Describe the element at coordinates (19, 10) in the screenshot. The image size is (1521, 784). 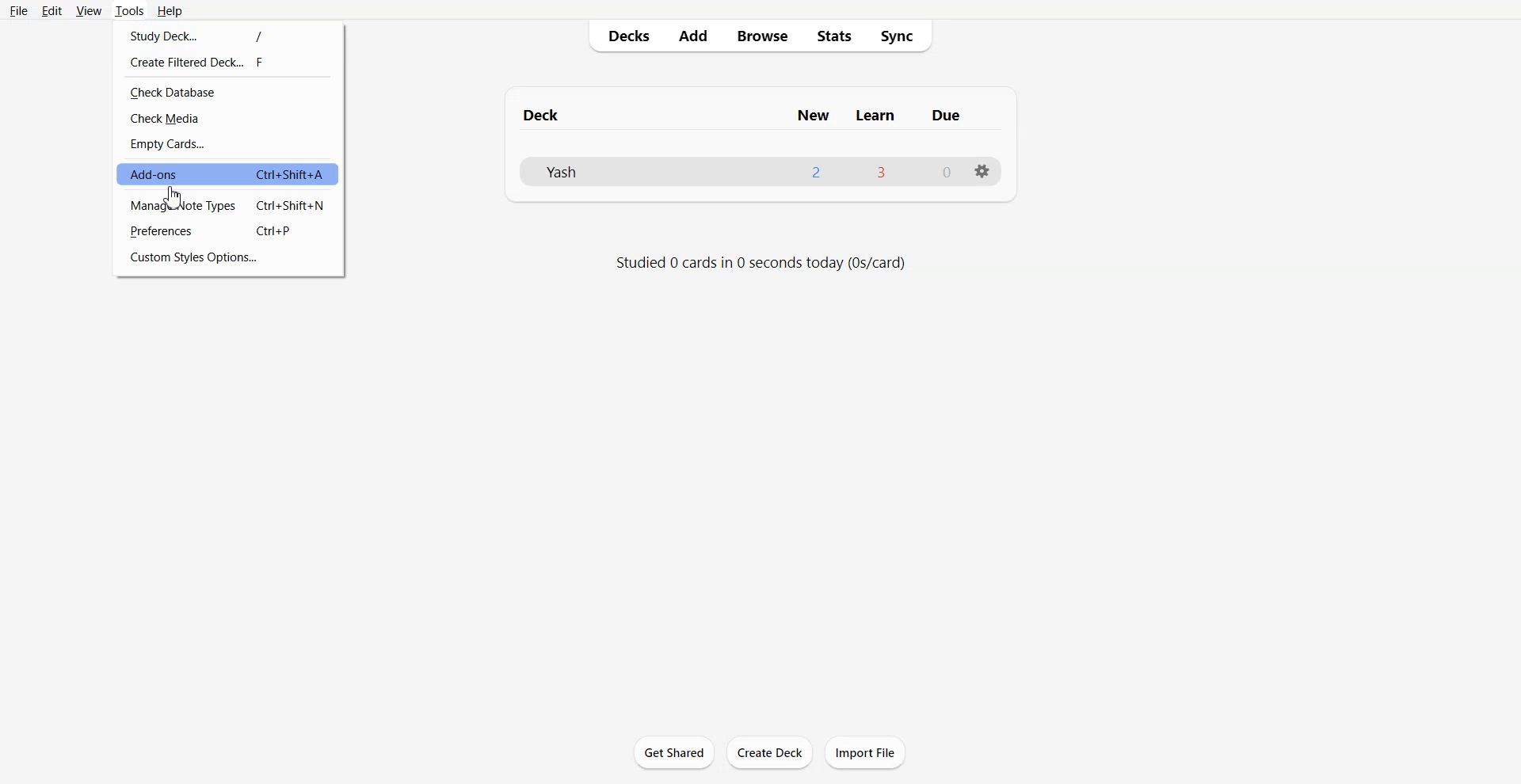
I see `File` at that location.